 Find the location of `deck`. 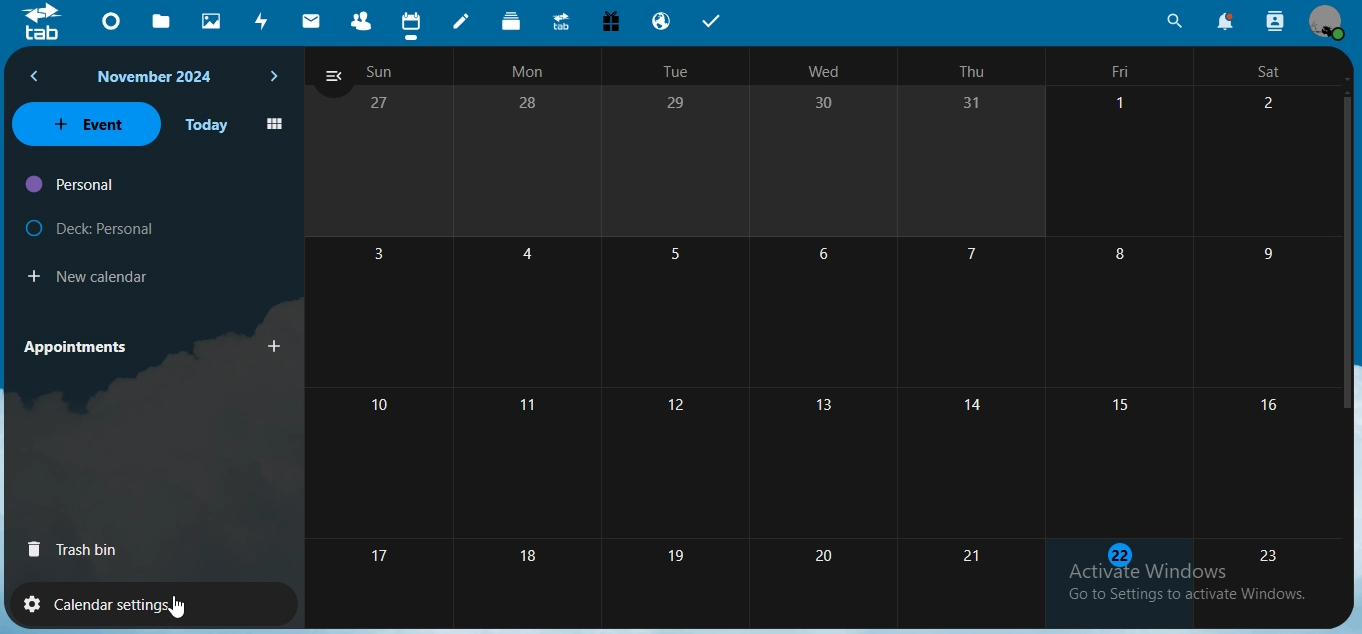

deck is located at coordinates (513, 21).